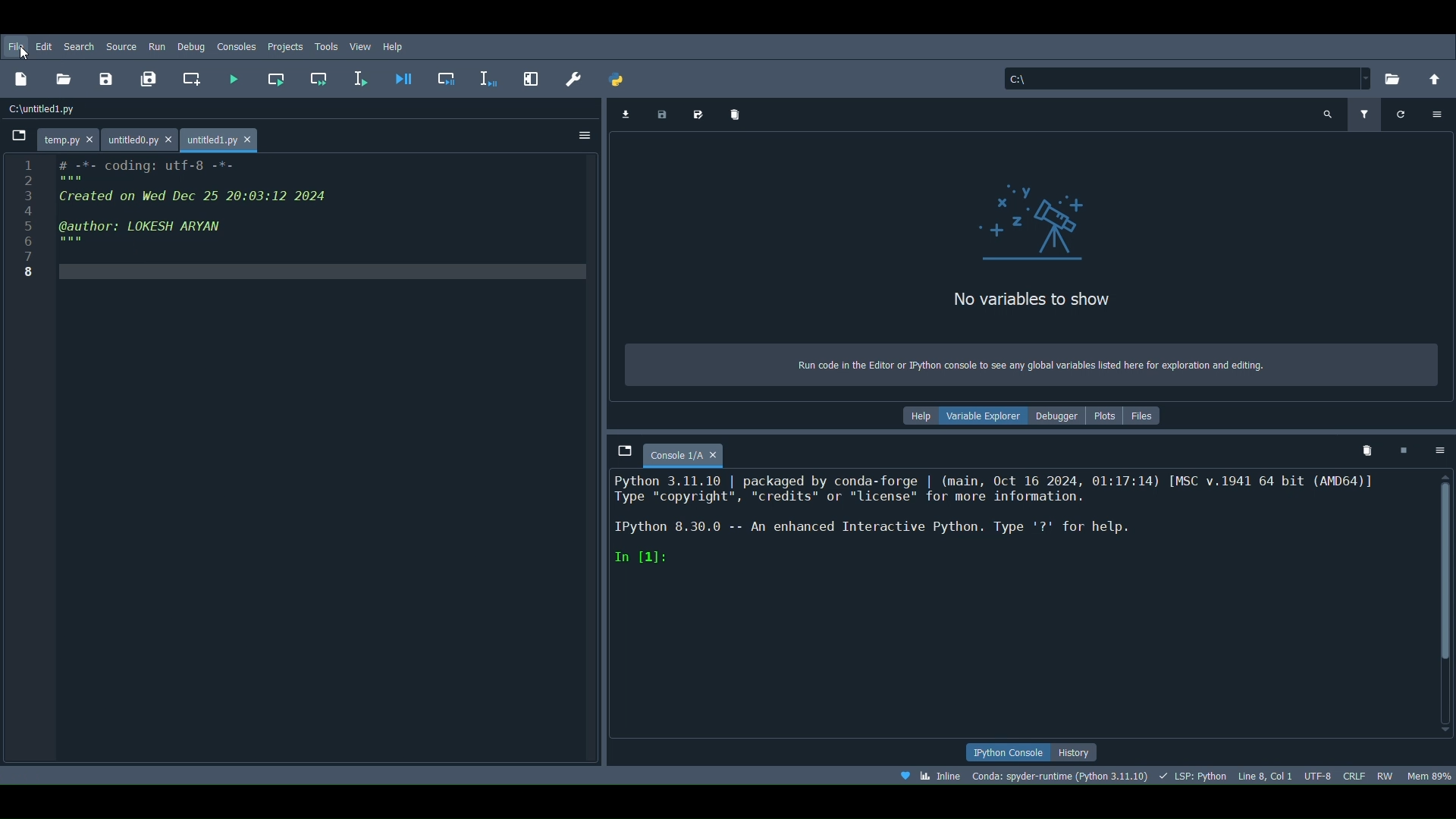  What do you see at coordinates (403, 76) in the screenshot?
I see `Debug file (Ctrl + F5)` at bounding box center [403, 76].